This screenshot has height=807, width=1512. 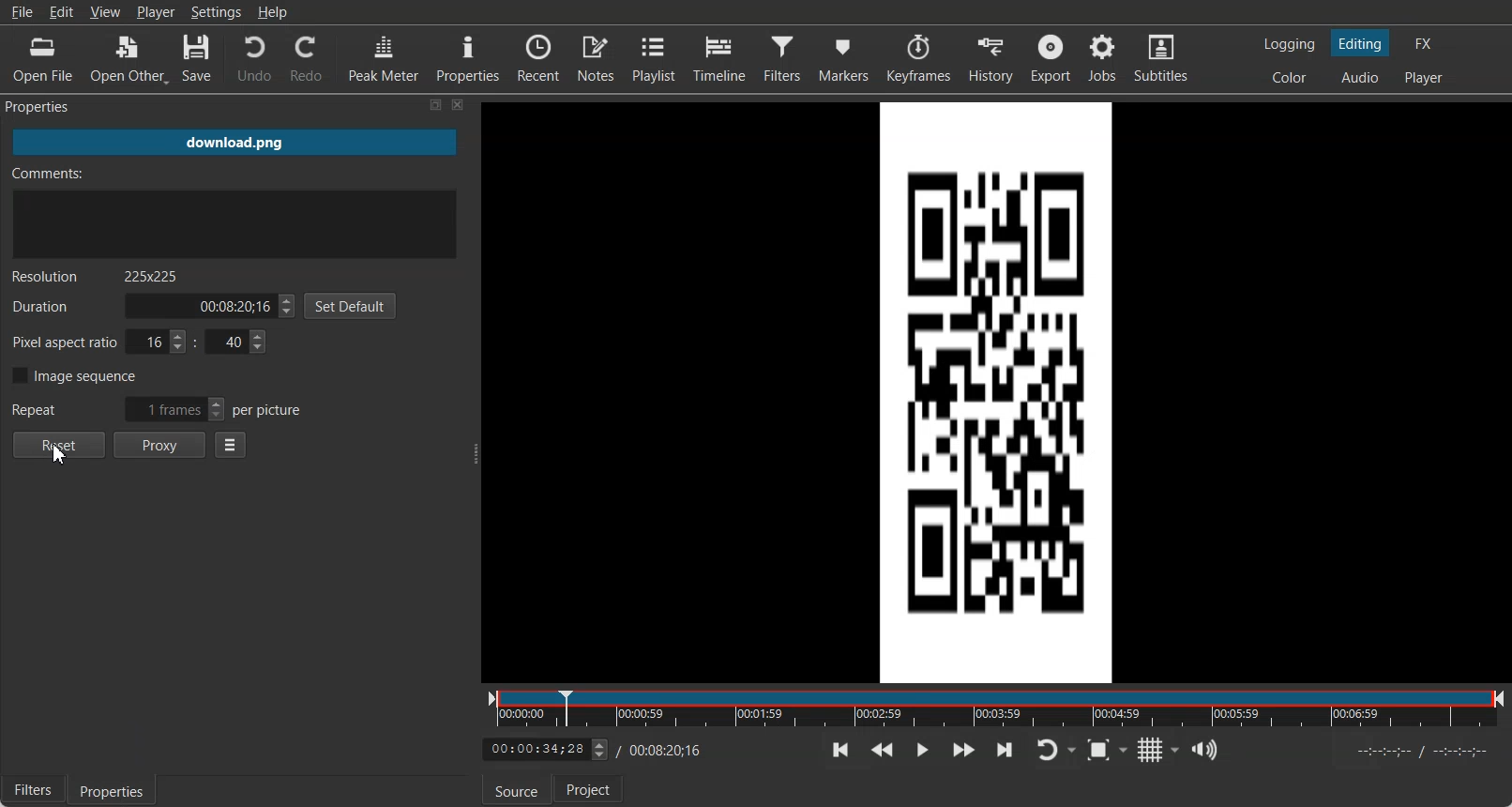 What do you see at coordinates (783, 58) in the screenshot?
I see `Filters` at bounding box center [783, 58].